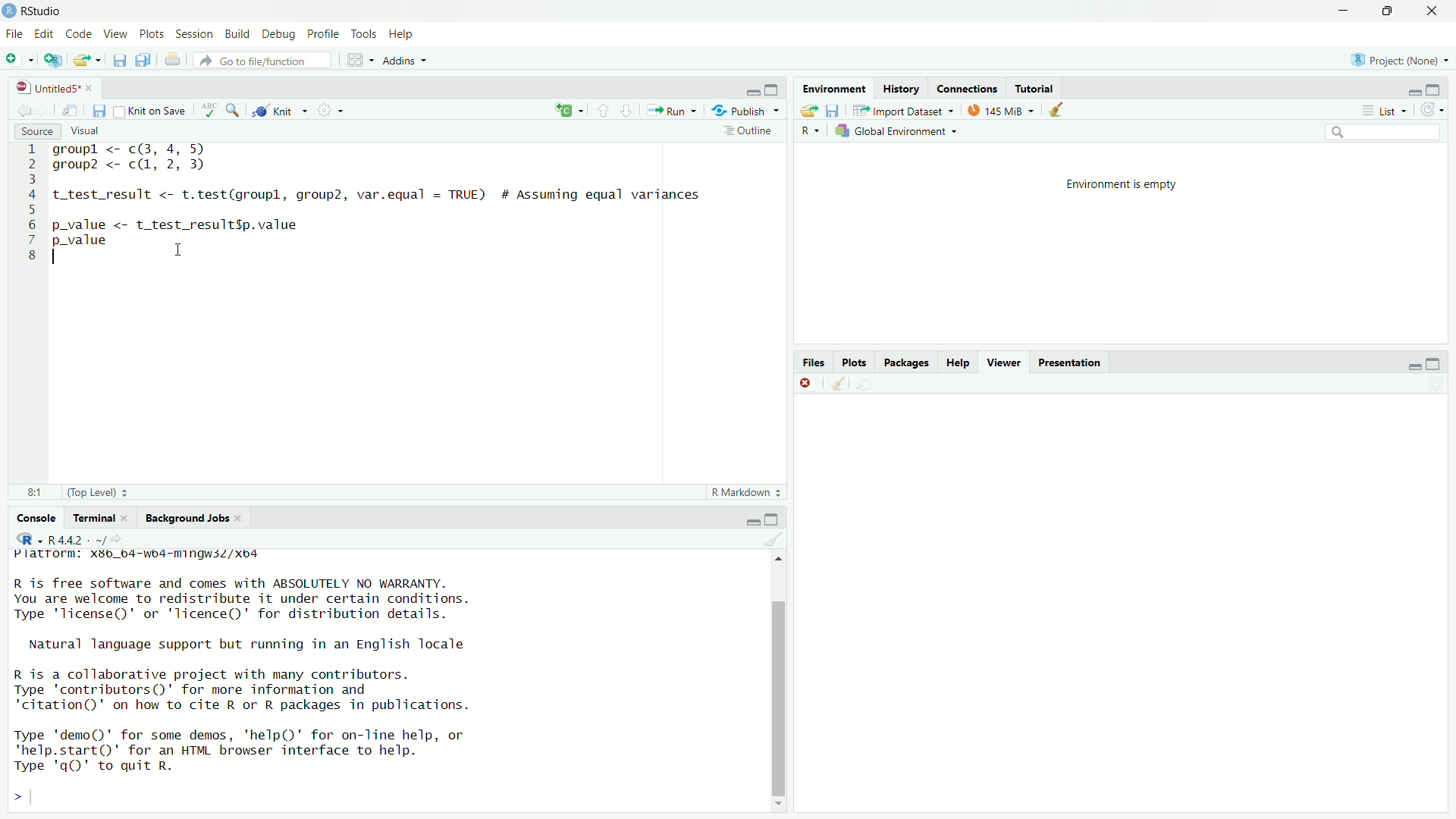  What do you see at coordinates (381, 203) in the screenshot?
I see `groupl <- c(3, 4, >)
group? <- c(, 2, 3)

t_test_result <- t.test(groupl, group2, var.equal = TRUE) # Assuming equal variances
p_value <- t_test_result$p.value

p_value -` at bounding box center [381, 203].